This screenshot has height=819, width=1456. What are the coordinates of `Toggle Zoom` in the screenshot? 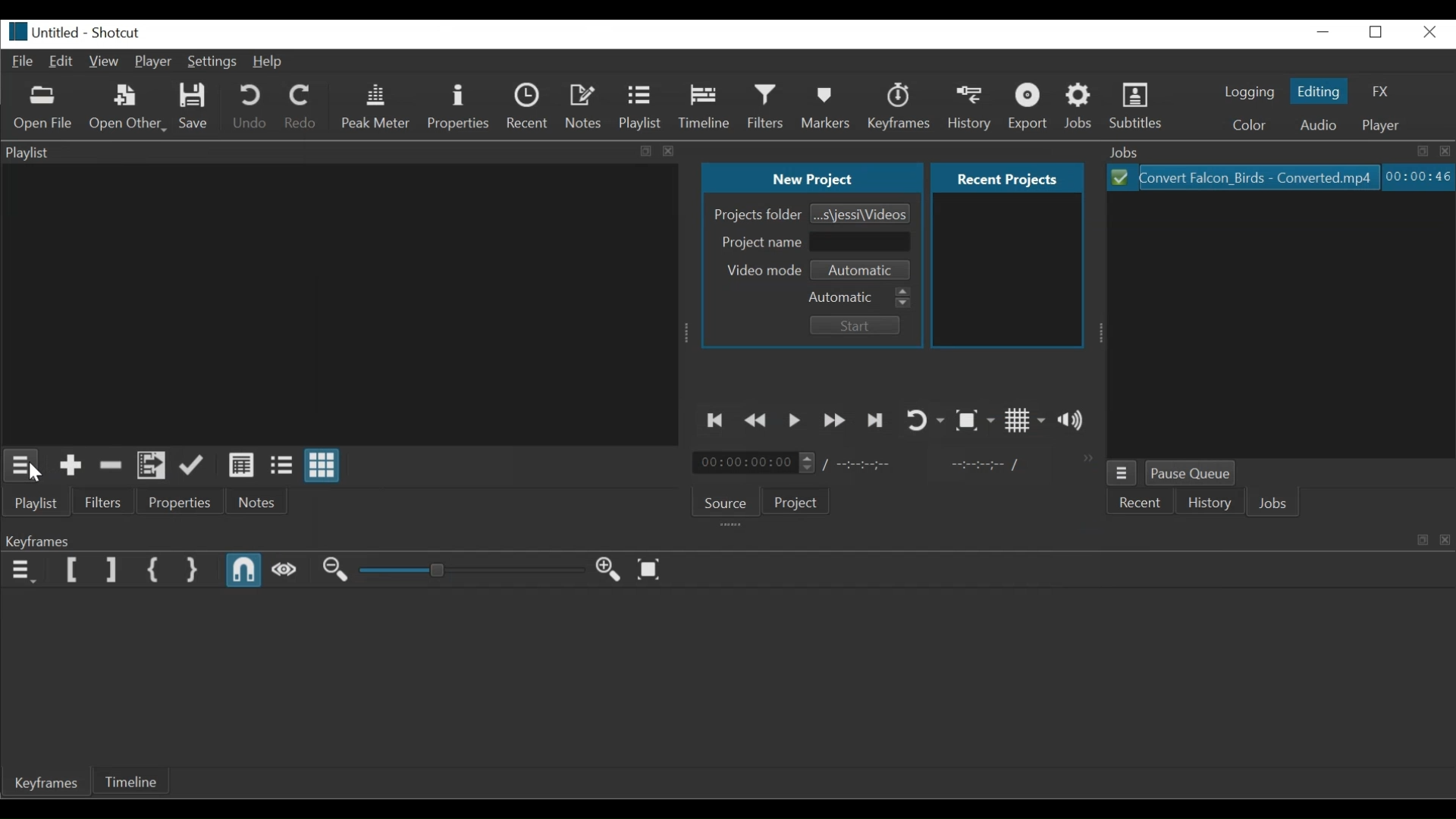 It's located at (975, 420).